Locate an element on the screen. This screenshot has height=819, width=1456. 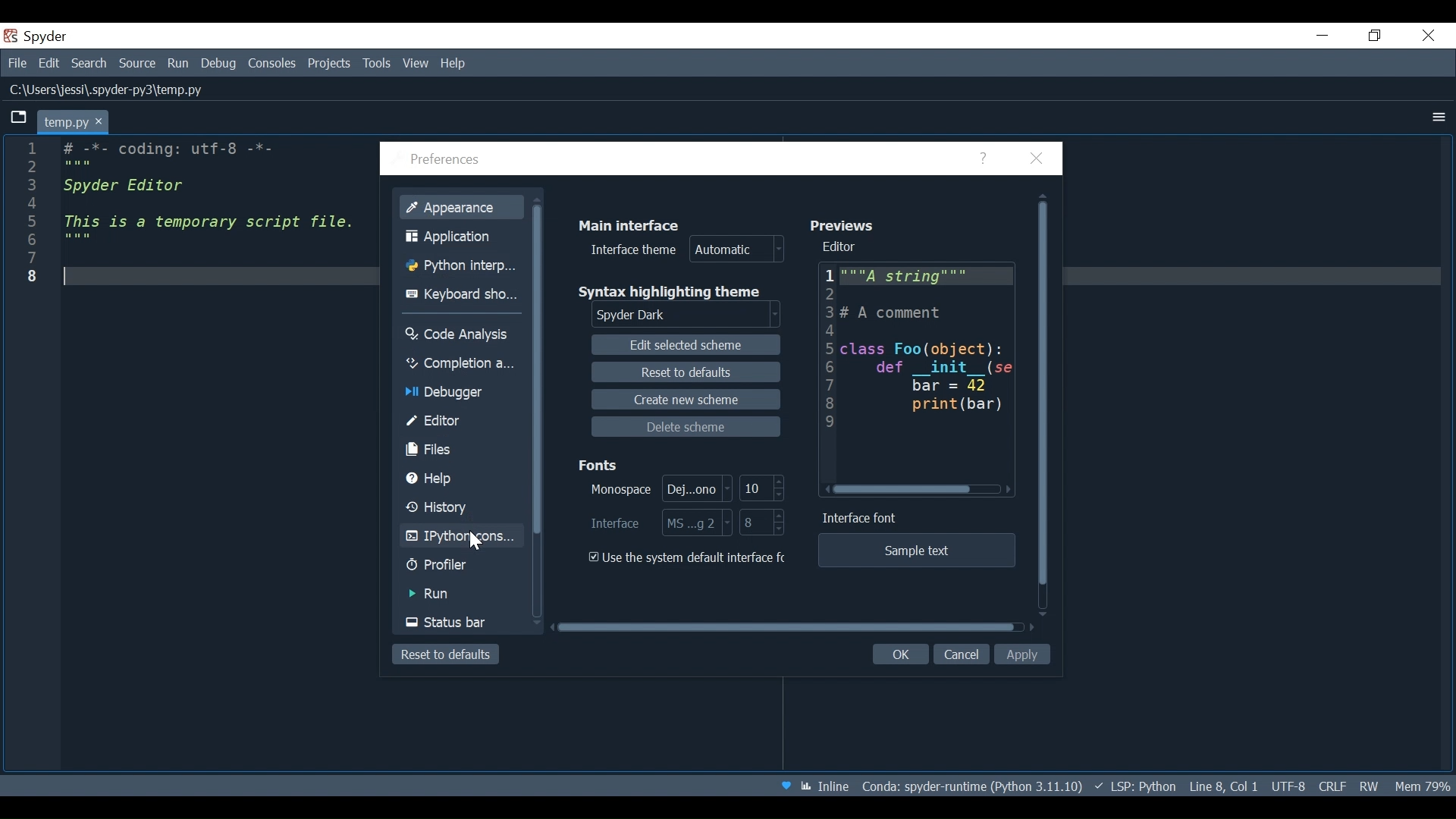
Profiler is located at coordinates (445, 566).